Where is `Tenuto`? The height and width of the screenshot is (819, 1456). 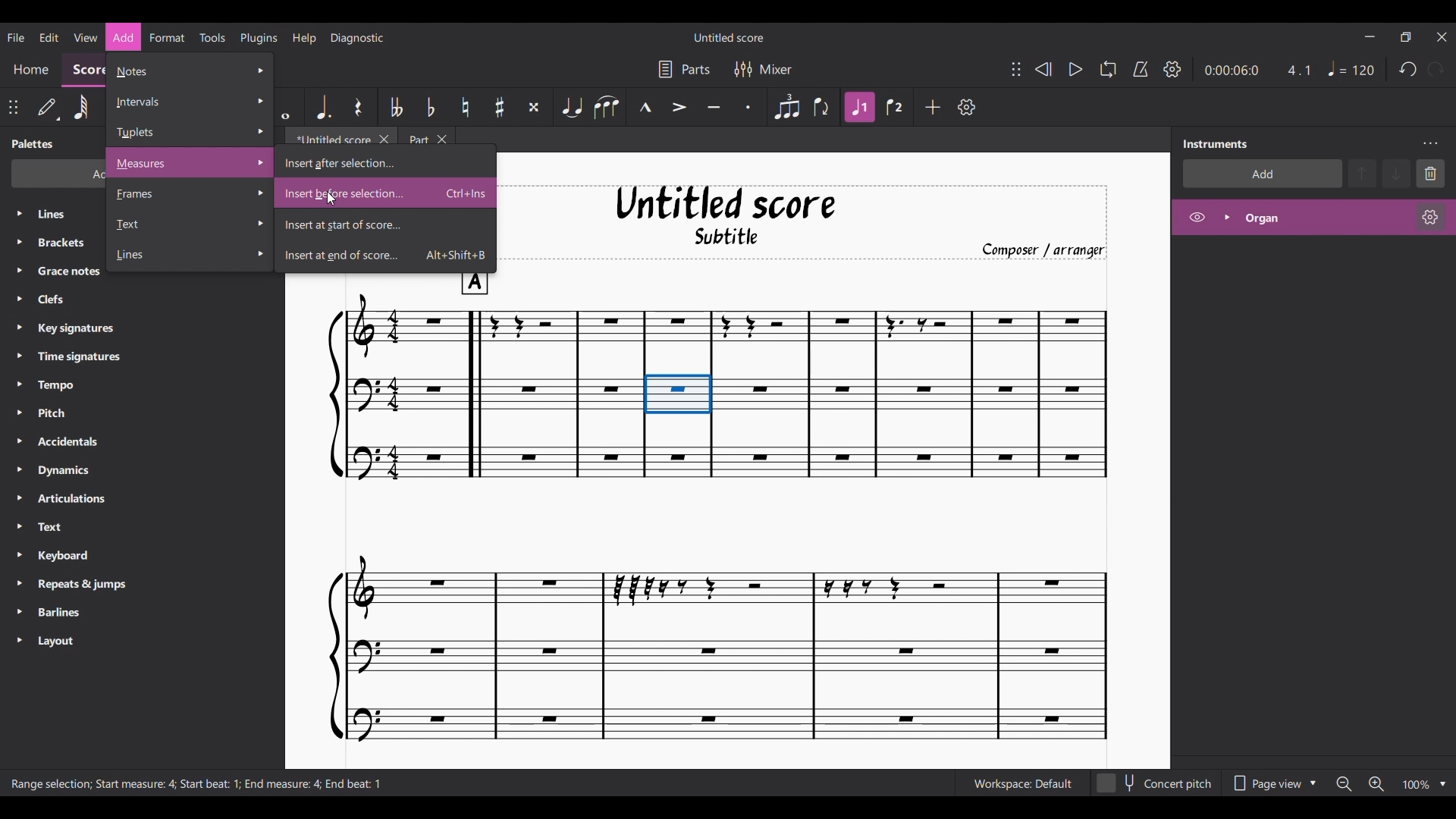 Tenuto is located at coordinates (714, 108).